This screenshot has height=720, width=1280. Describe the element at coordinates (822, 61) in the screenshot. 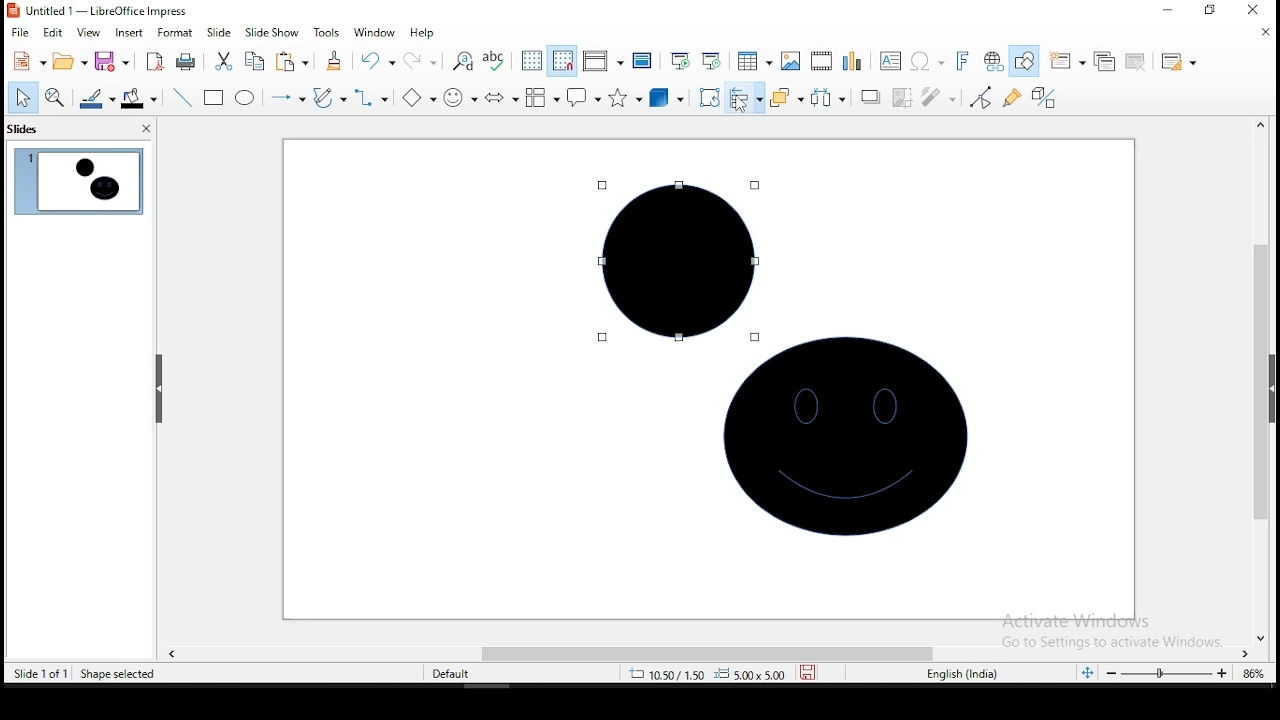

I see `insert video` at that location.